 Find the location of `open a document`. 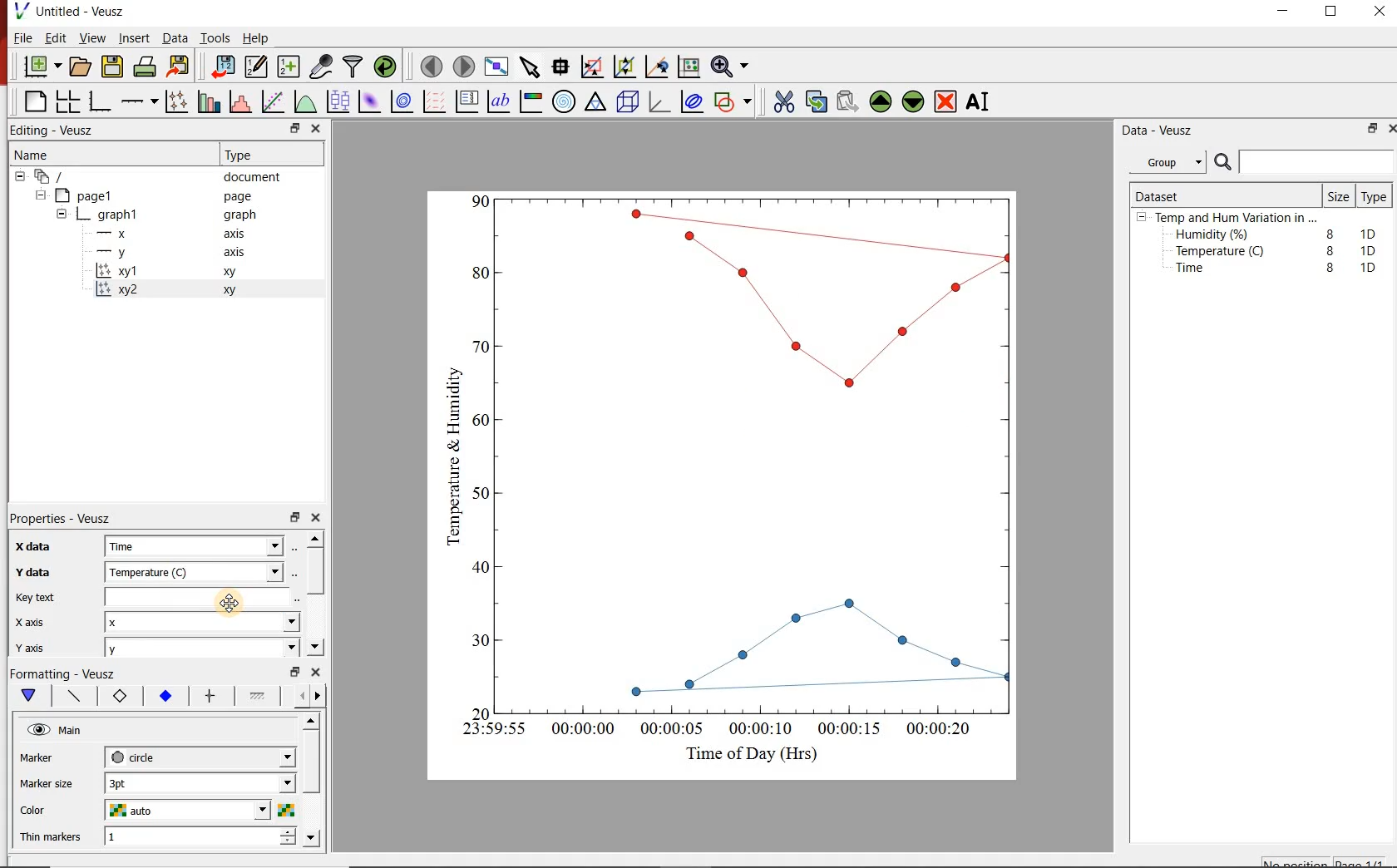

open a document is located at coordinates (81, 67).